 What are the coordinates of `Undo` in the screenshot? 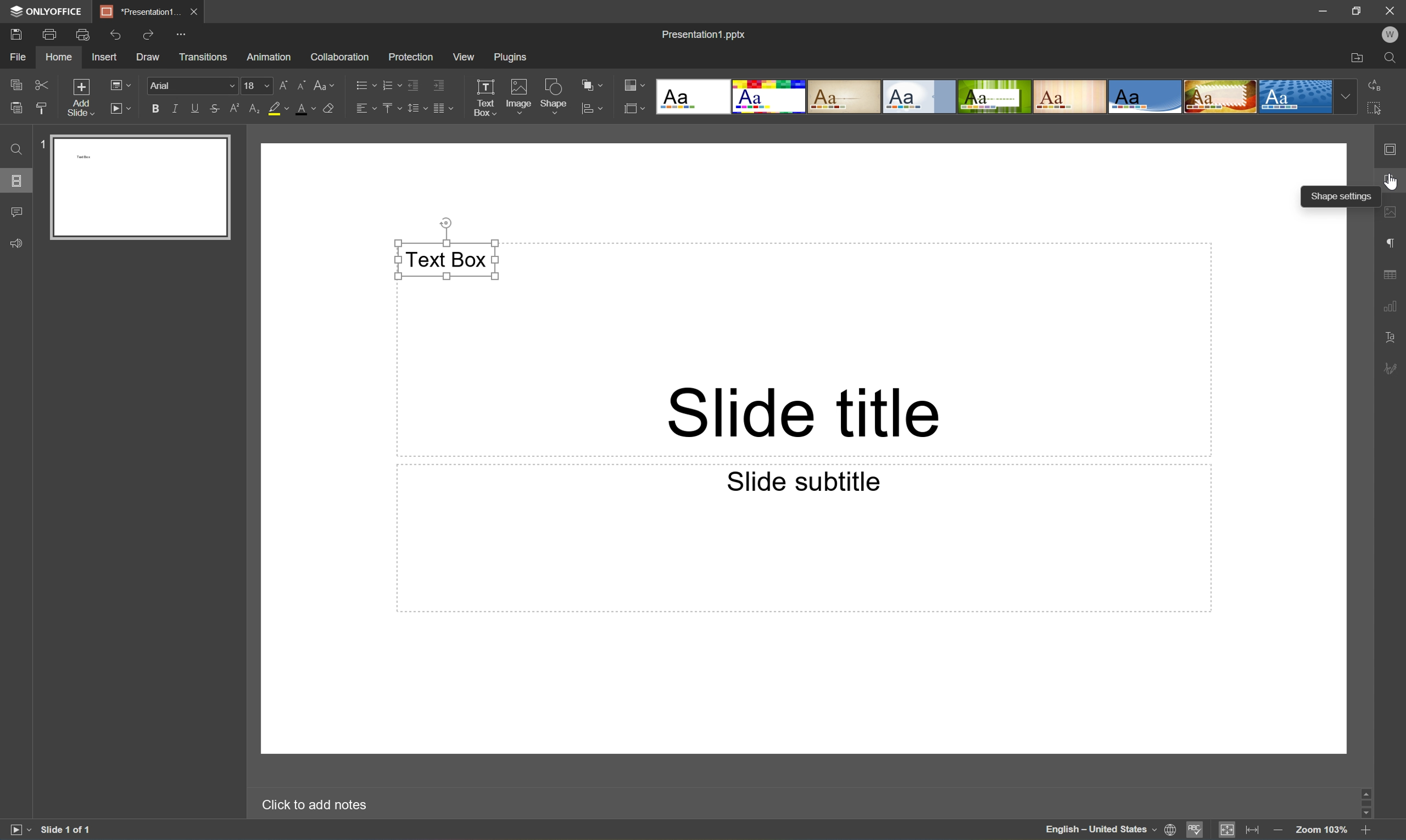 It's located at (118, 36).